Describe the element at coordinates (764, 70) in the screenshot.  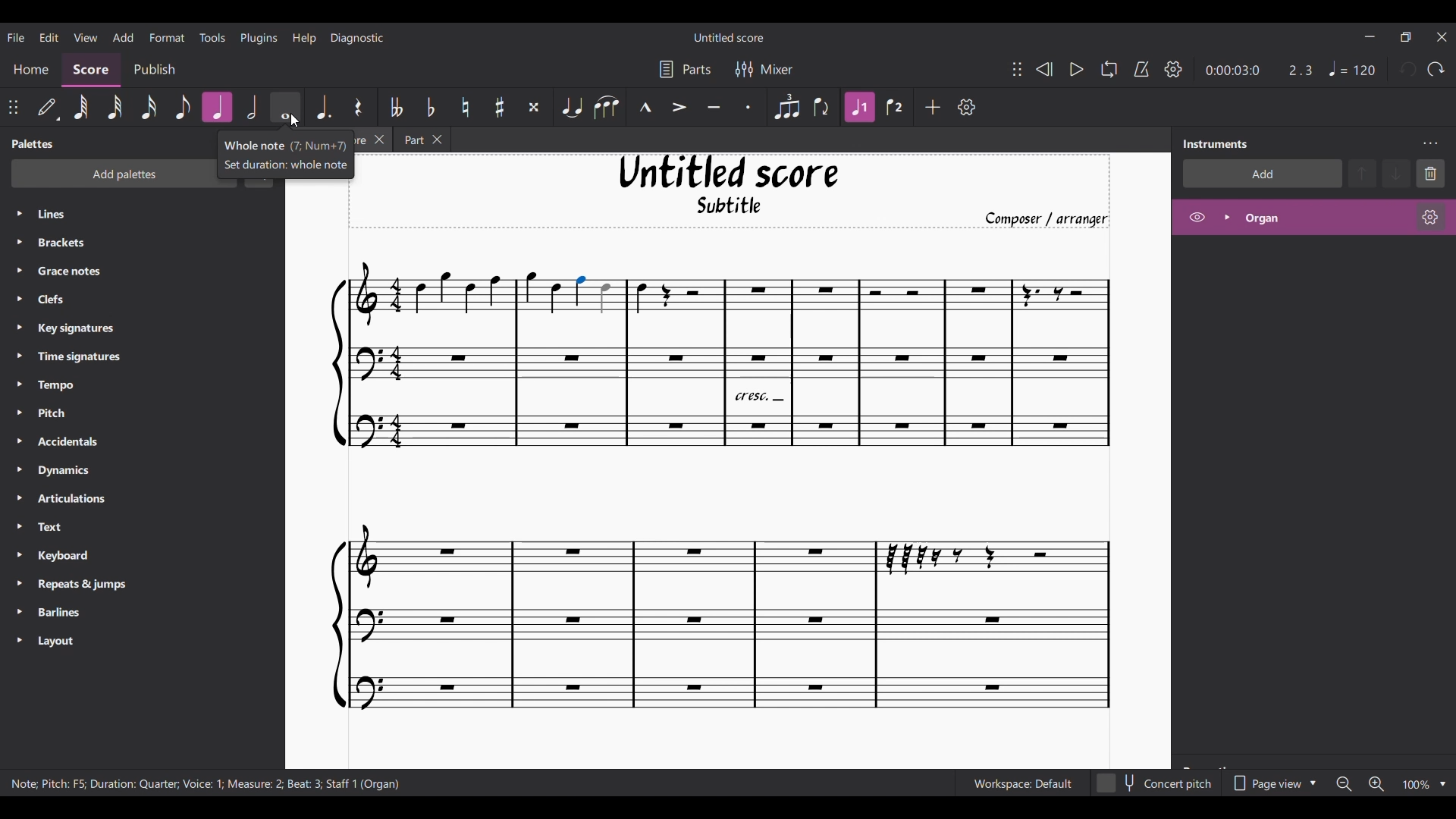
I see `Mixer settings` at that location.